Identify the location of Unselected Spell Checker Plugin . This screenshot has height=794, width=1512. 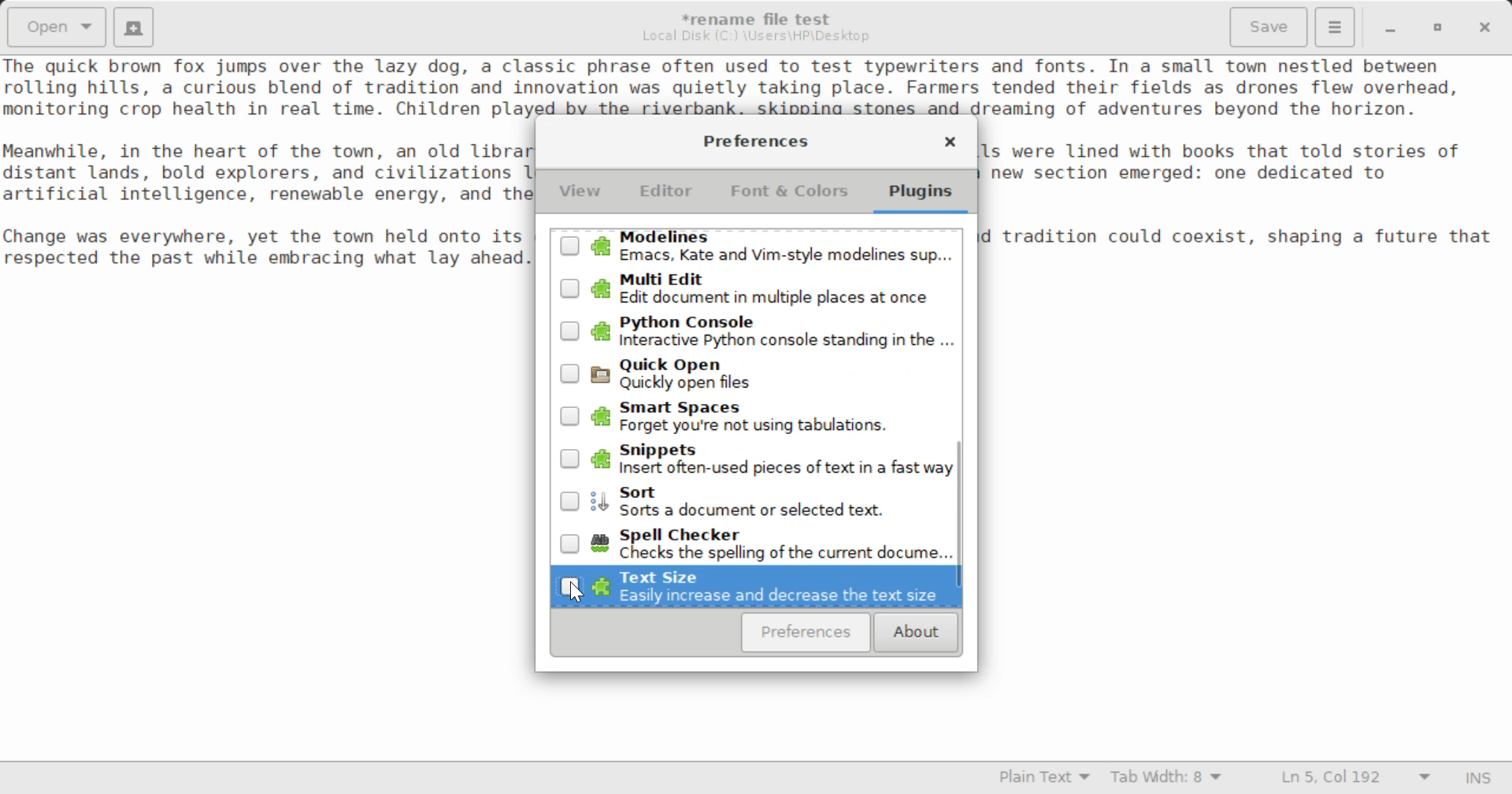
(760, 542).